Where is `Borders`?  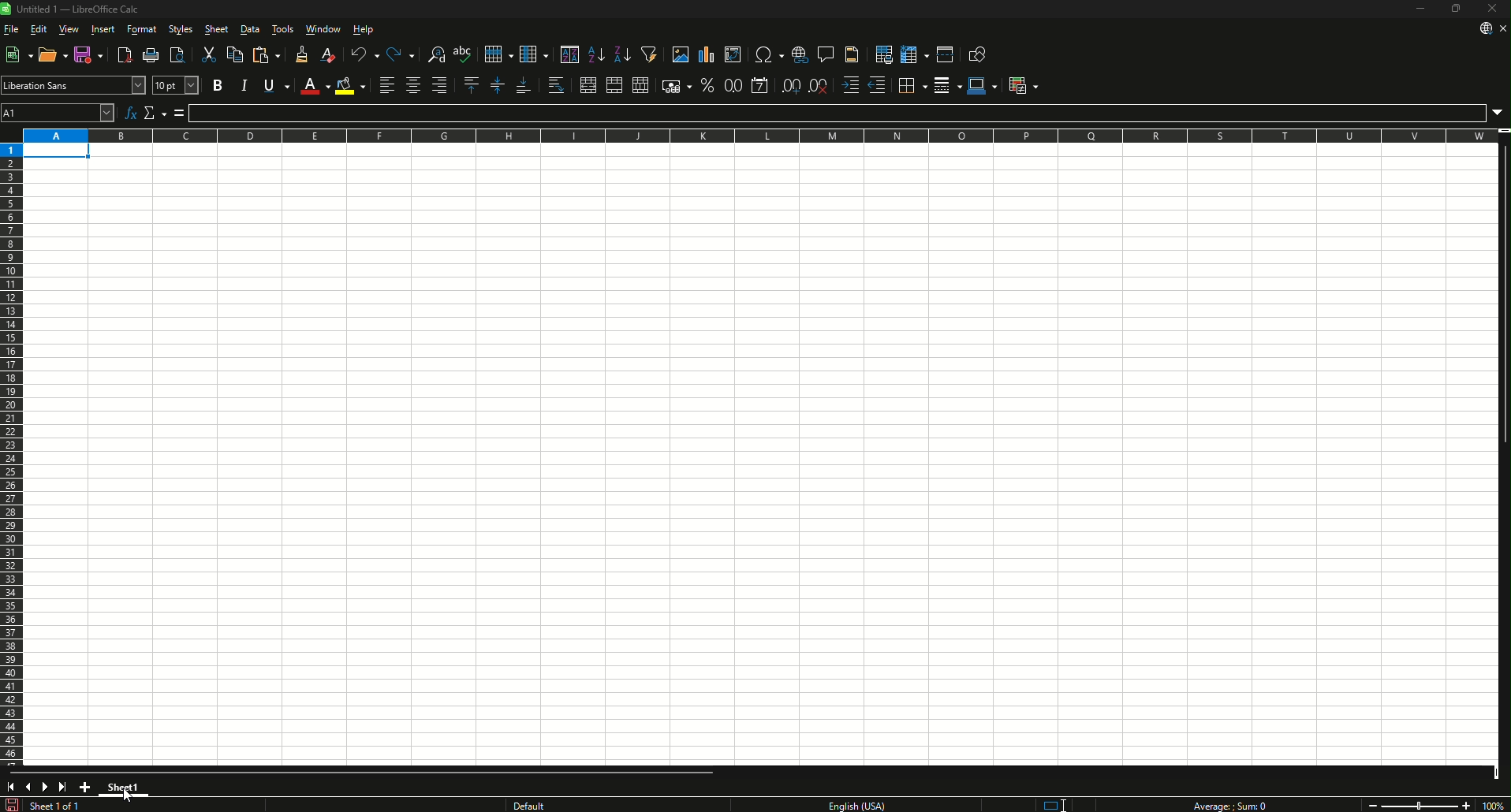
Borders is located at coordinates (912, 86).